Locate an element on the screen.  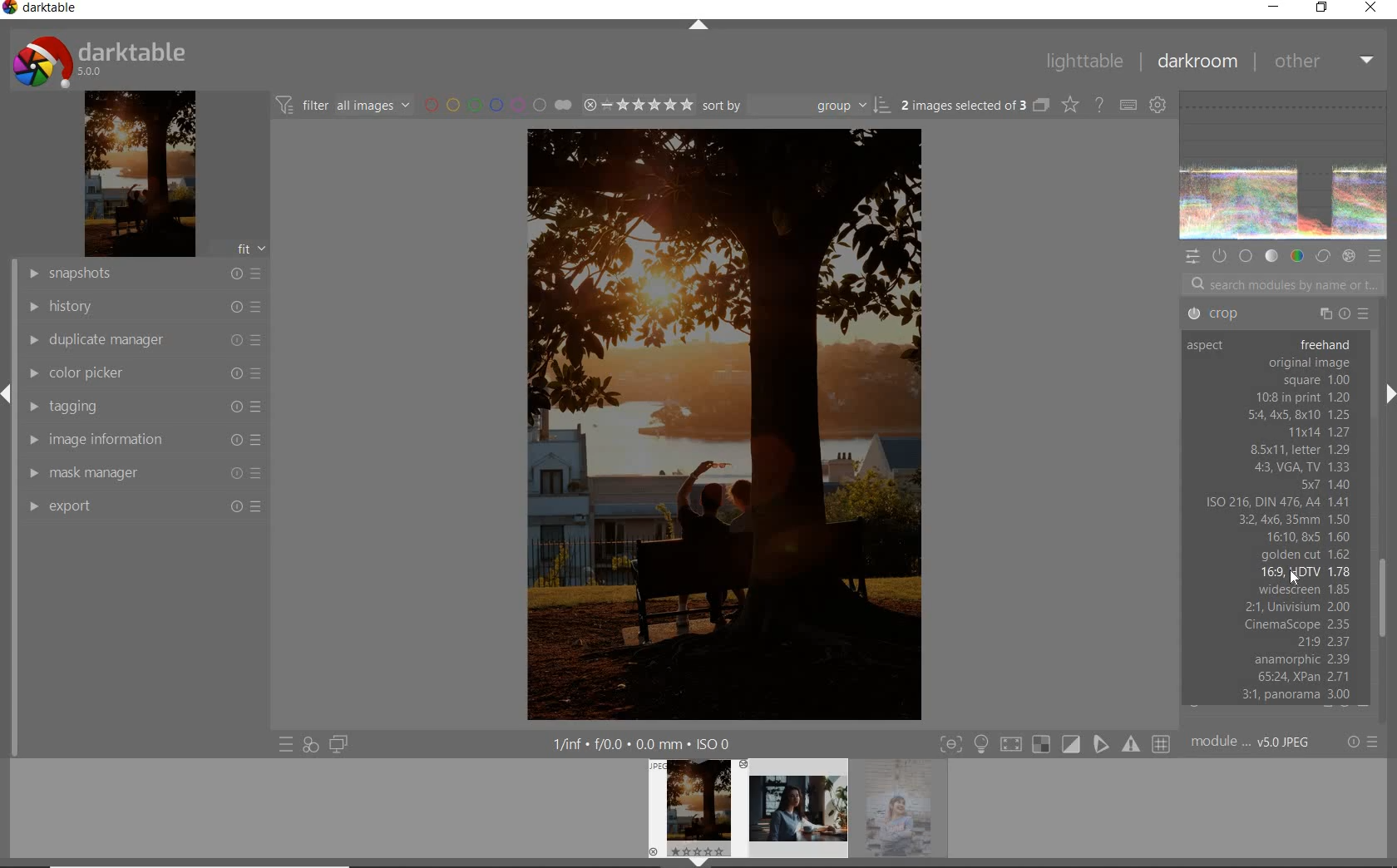
enable for online help is located at coordinates (1098, 104).